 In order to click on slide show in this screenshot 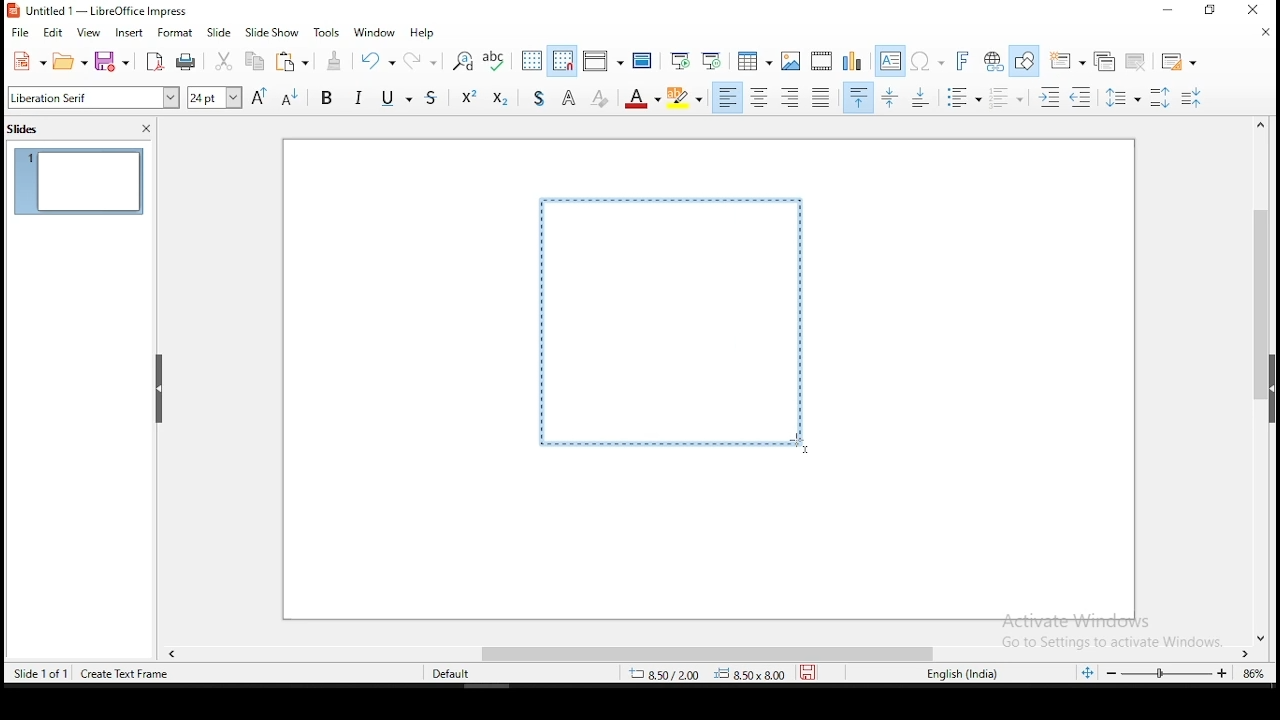, I will do `click(272, 33)`.